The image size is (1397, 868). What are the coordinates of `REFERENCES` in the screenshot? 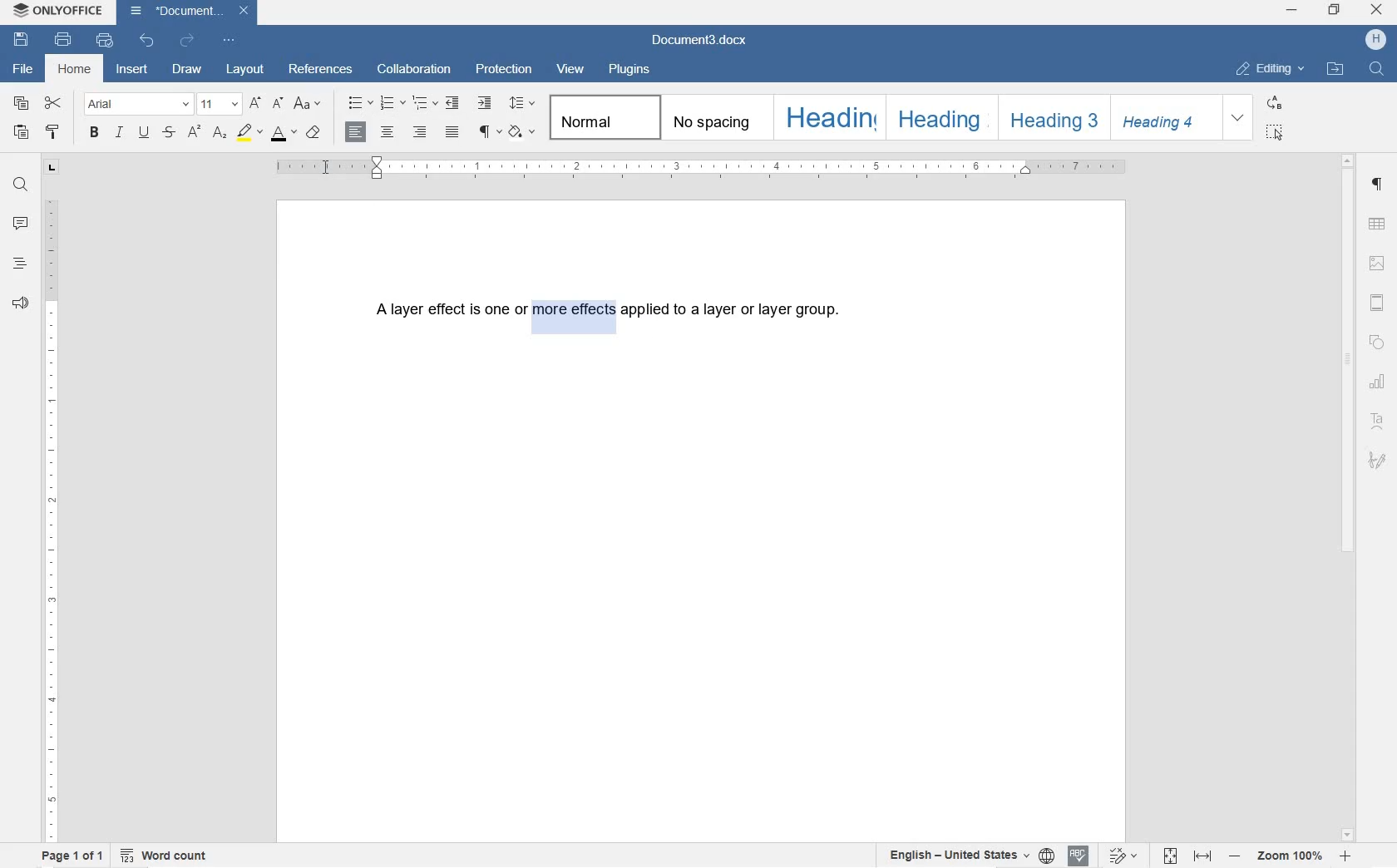 It's located at (323, 71).